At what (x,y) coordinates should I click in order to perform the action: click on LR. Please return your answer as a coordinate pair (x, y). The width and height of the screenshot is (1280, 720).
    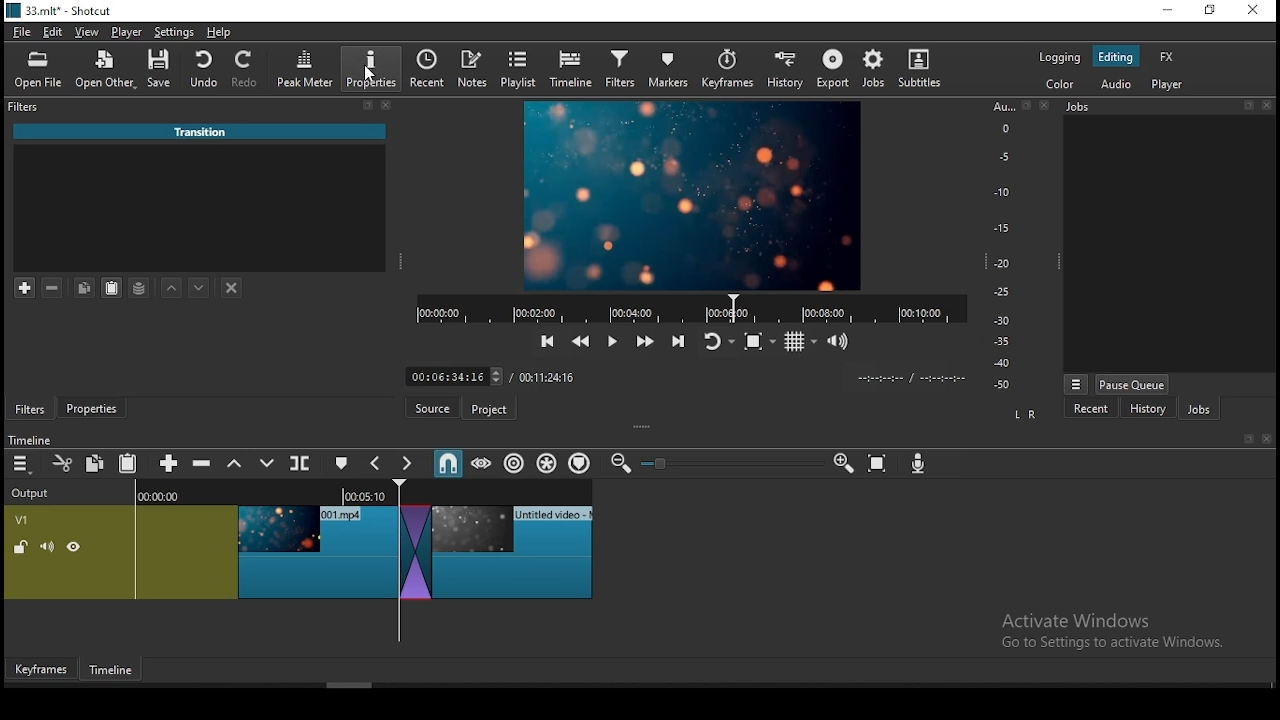
    Looking at the image, I should click on (1024, 416).